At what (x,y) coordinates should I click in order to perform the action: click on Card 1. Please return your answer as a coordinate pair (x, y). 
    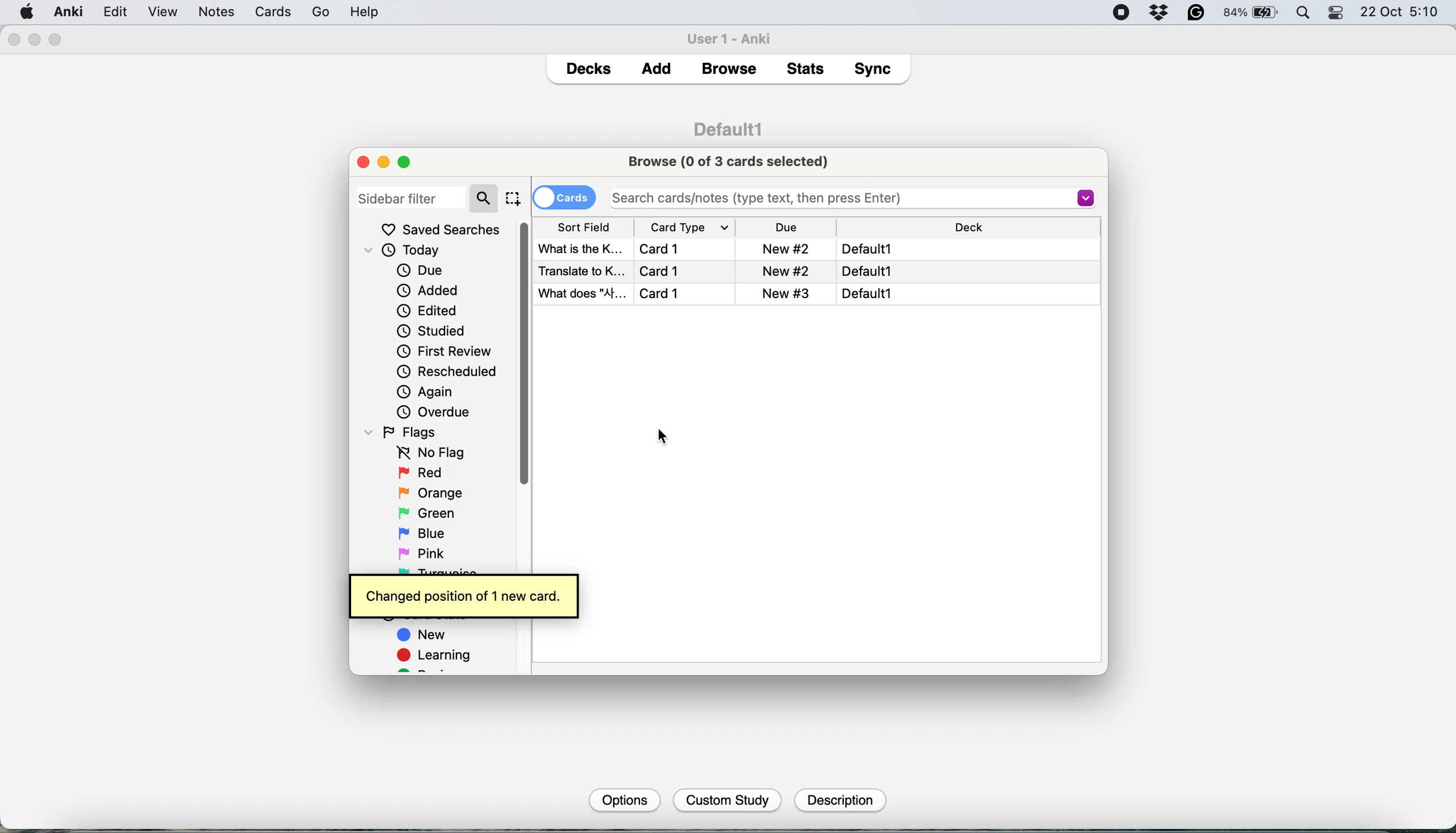
    Looking at the image, I should click on (663, 271).